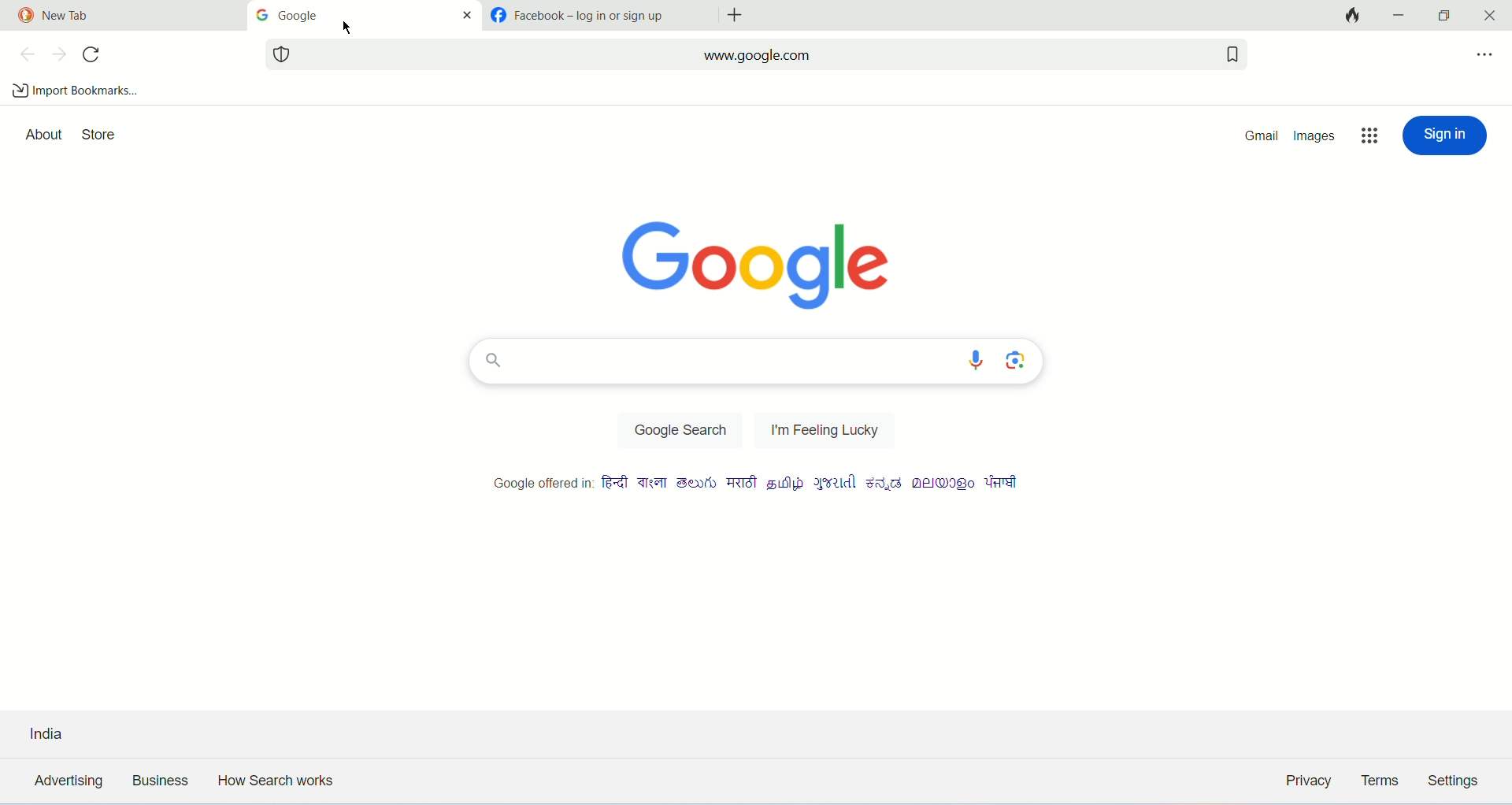 The width and height of the screenshot is (1512, 805). Describe the element at coordinates (1455, 777) in the screenshot. I see `settings` at that location.